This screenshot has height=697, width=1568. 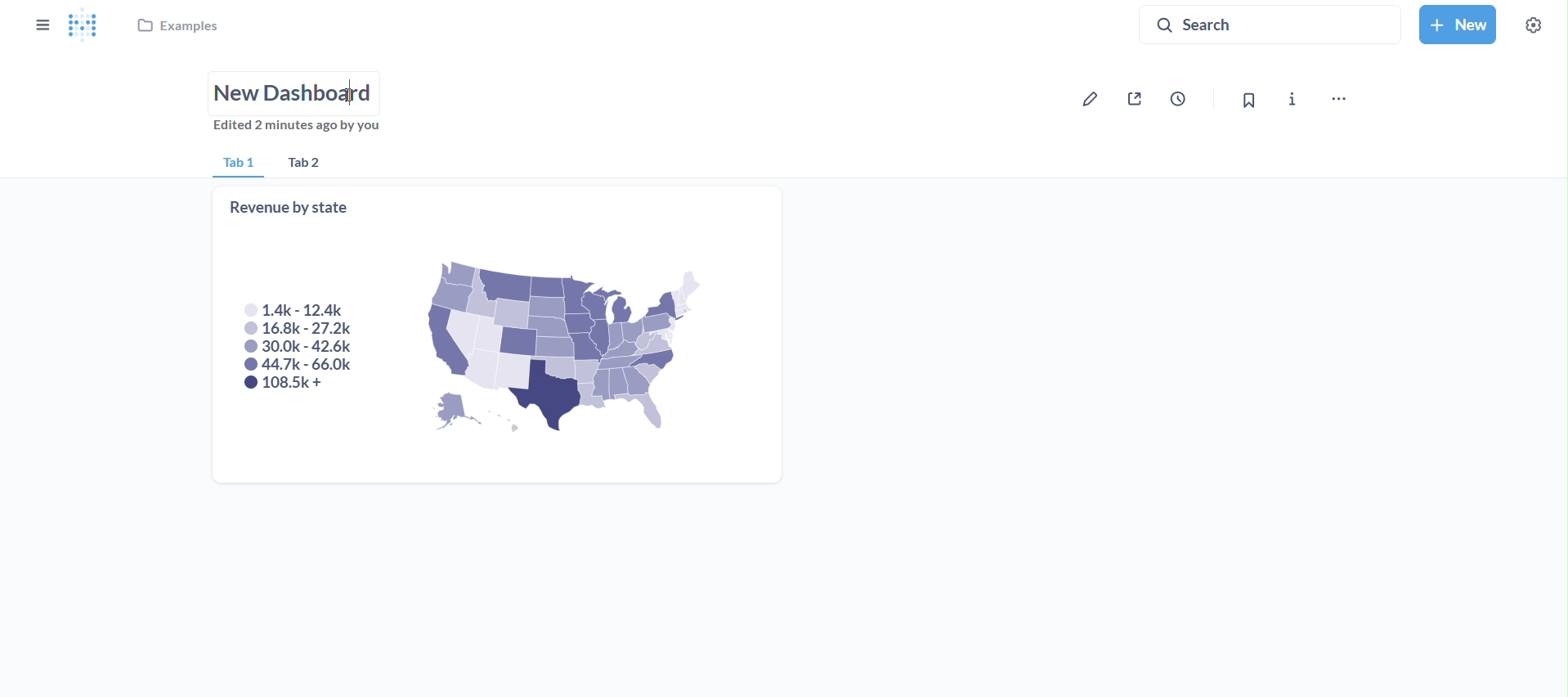 What do you see at coordinates (1092, 98) in the screenshot?
I see `edit dashboard` at bounding box center [1092, 98].